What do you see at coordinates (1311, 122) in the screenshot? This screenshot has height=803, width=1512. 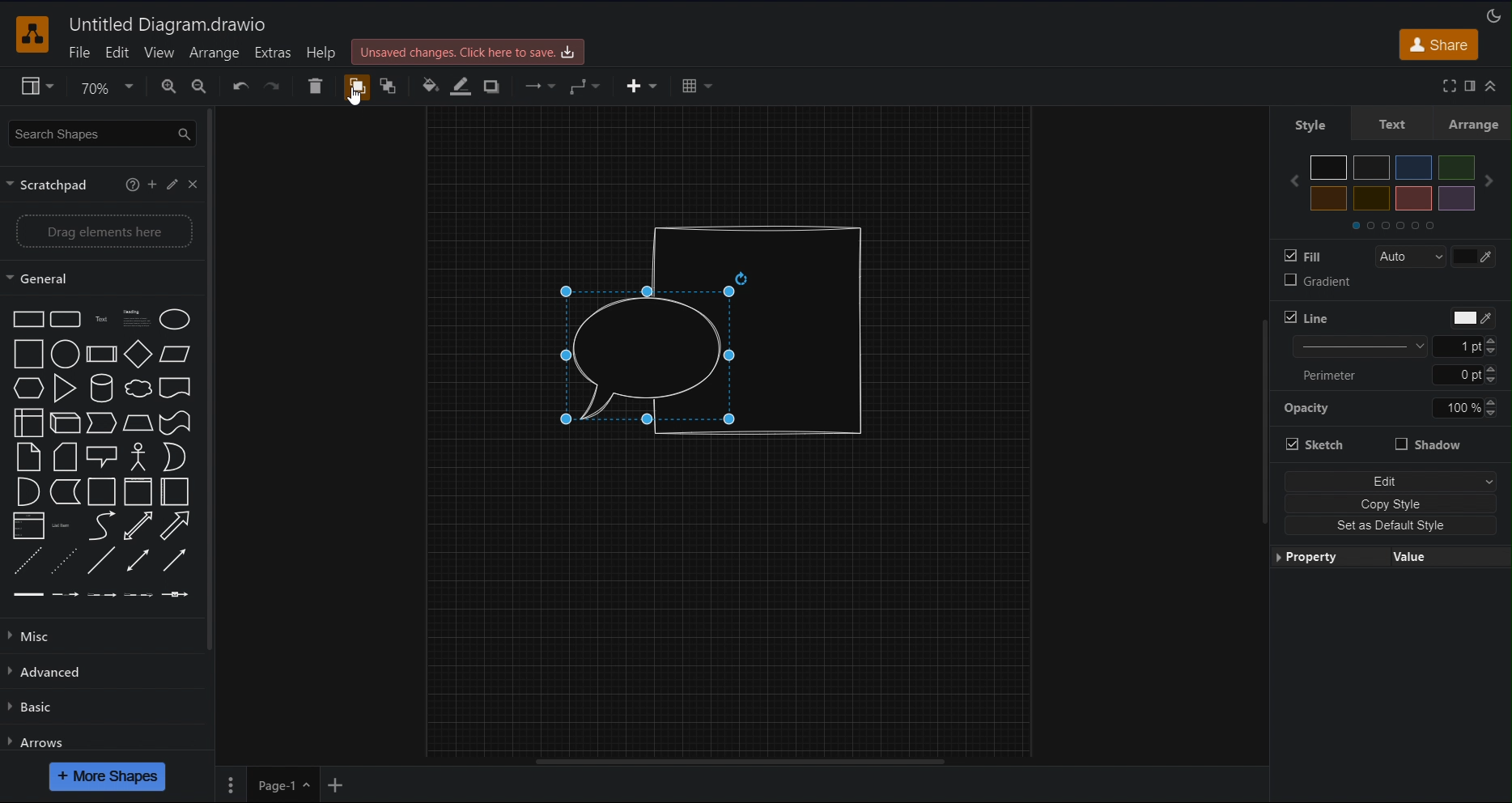 I see `Style` at bounding box center [1311, 122].